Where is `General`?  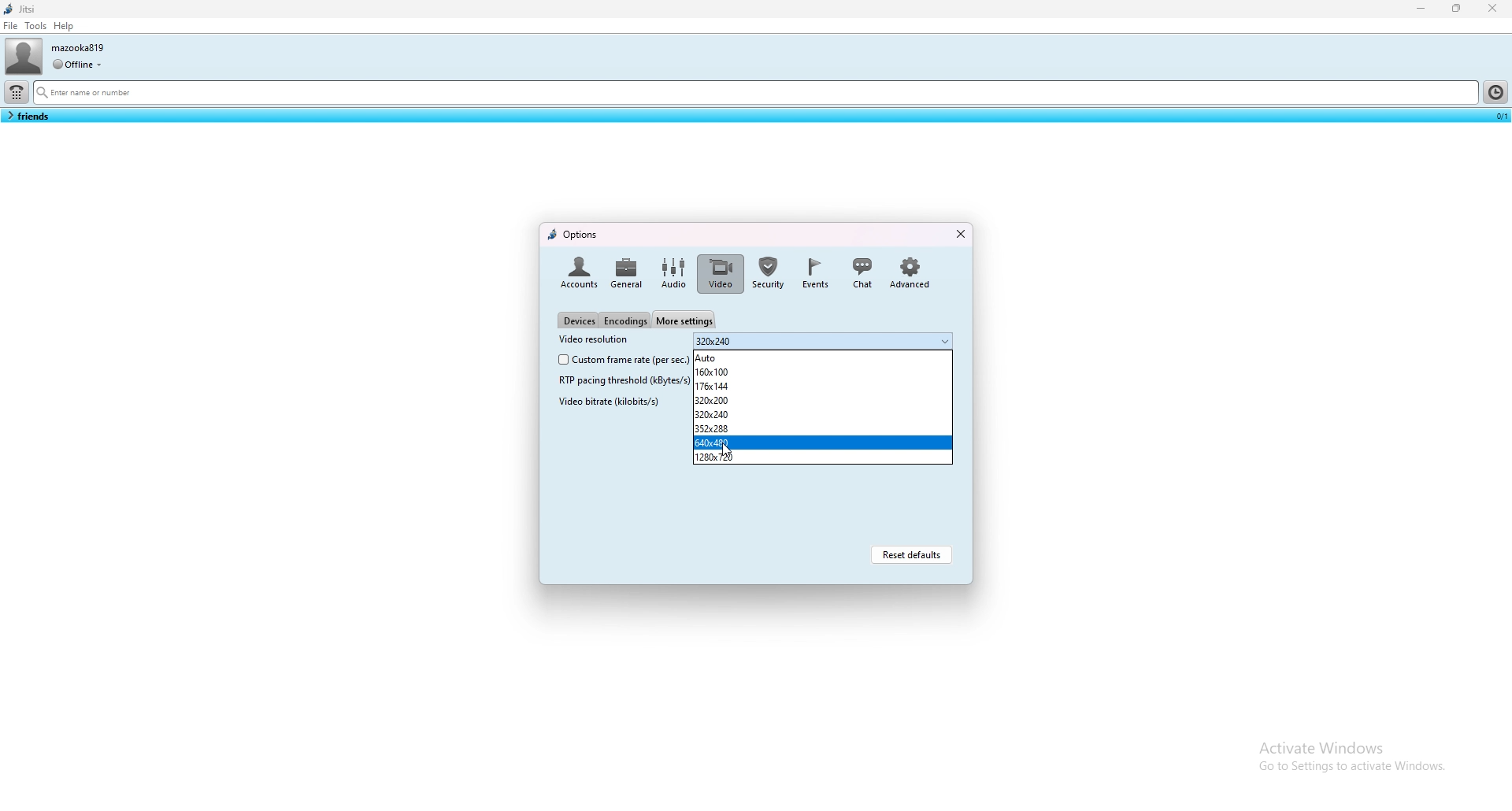
General is located at coordinates (627, 271).